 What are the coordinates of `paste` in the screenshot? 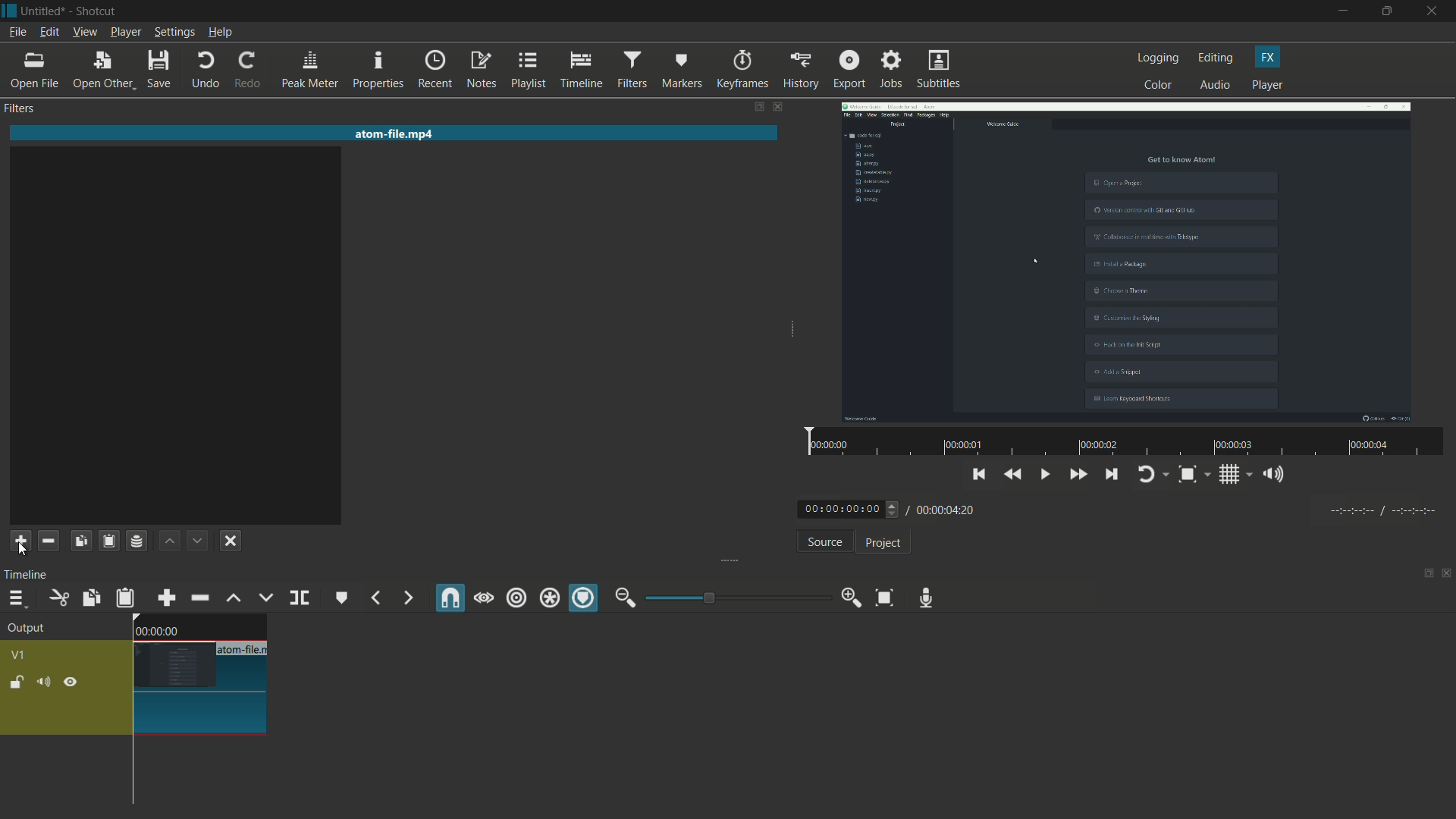 It's located at (125, 598).